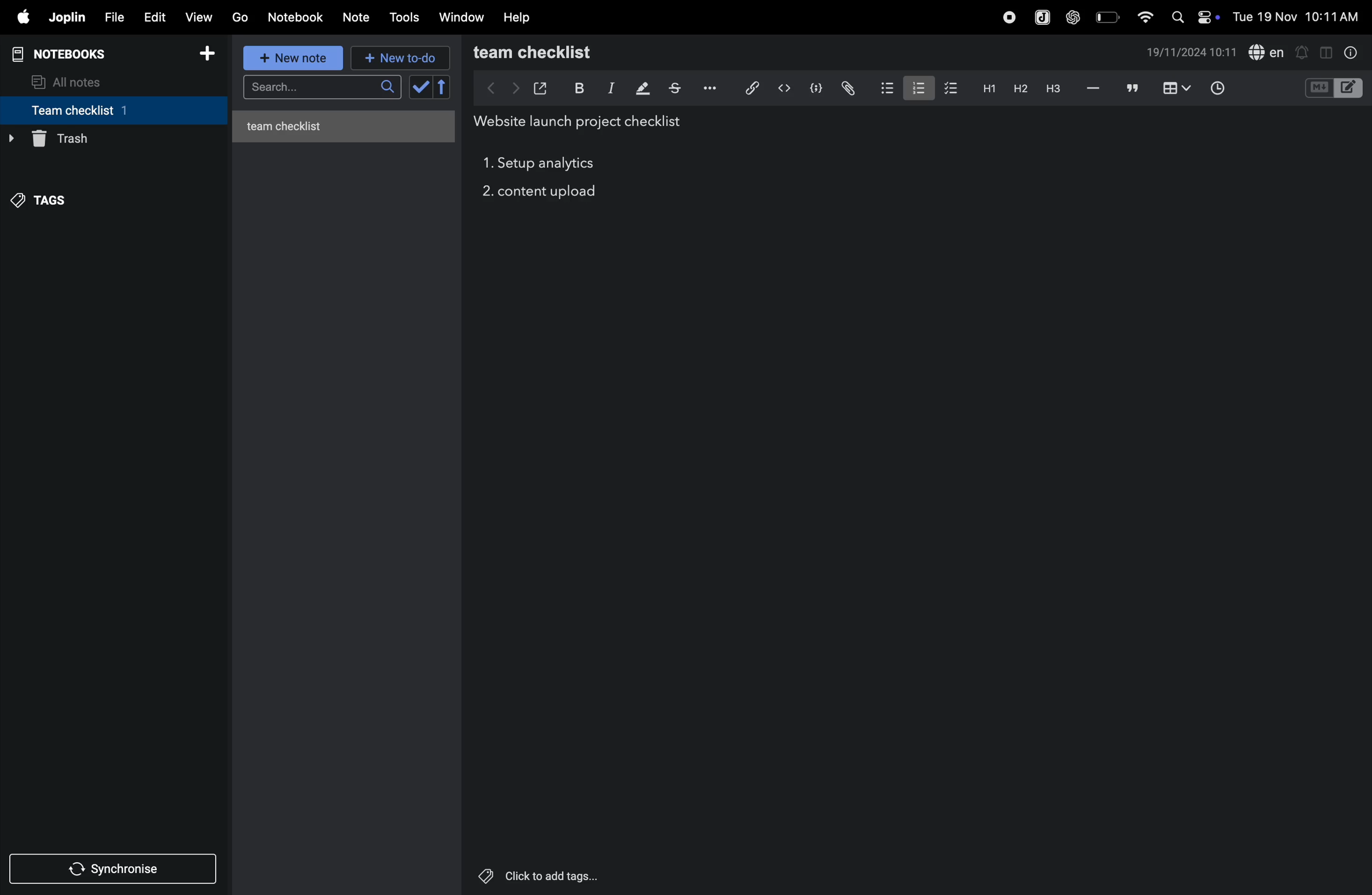  What do you see at coordinates (22, 18) in the screenshot?
I see `apple menu` at bounding box center [22, 18].